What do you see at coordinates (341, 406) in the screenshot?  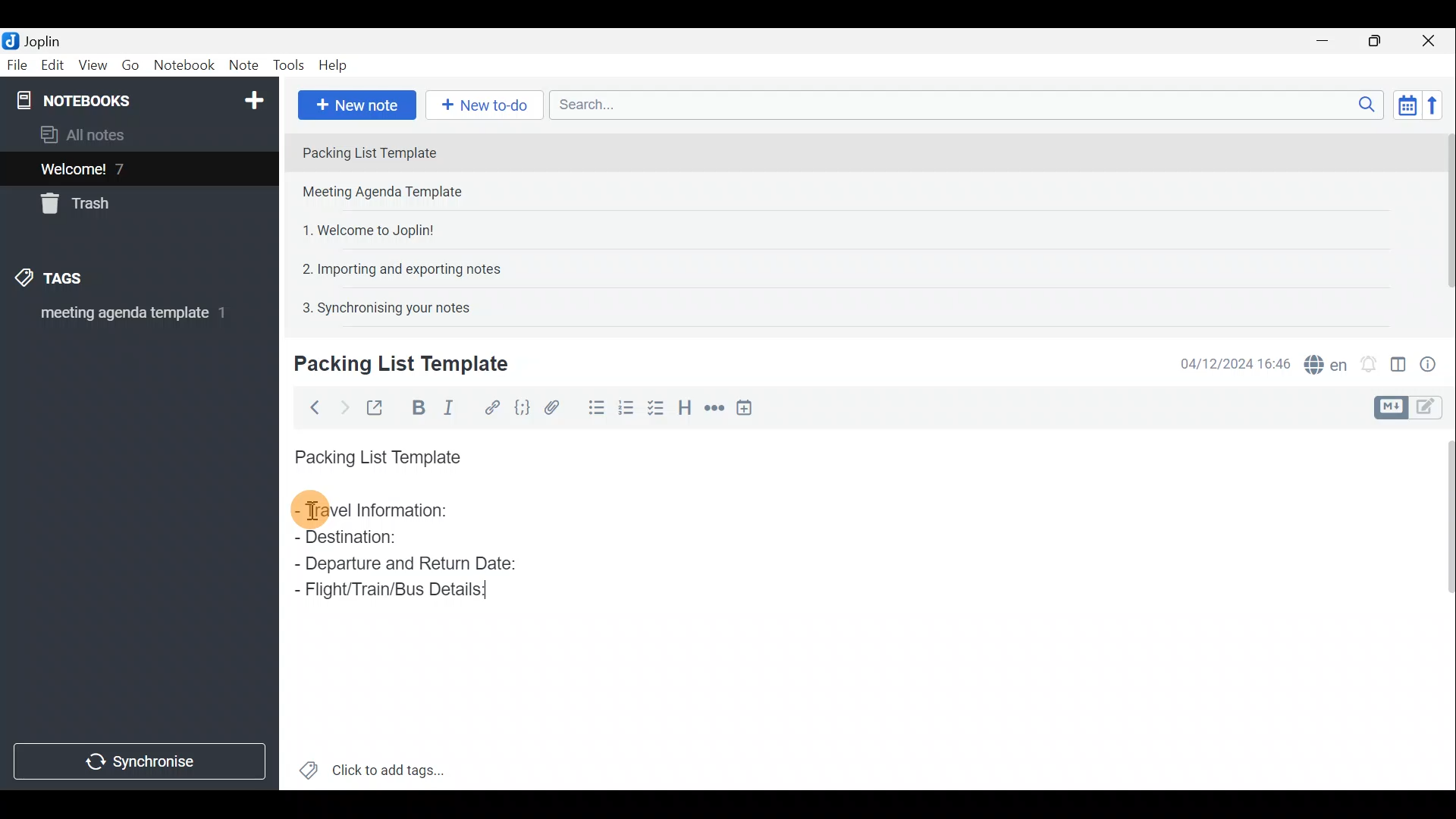 I see `Forward` at bounding box center [341, 406].